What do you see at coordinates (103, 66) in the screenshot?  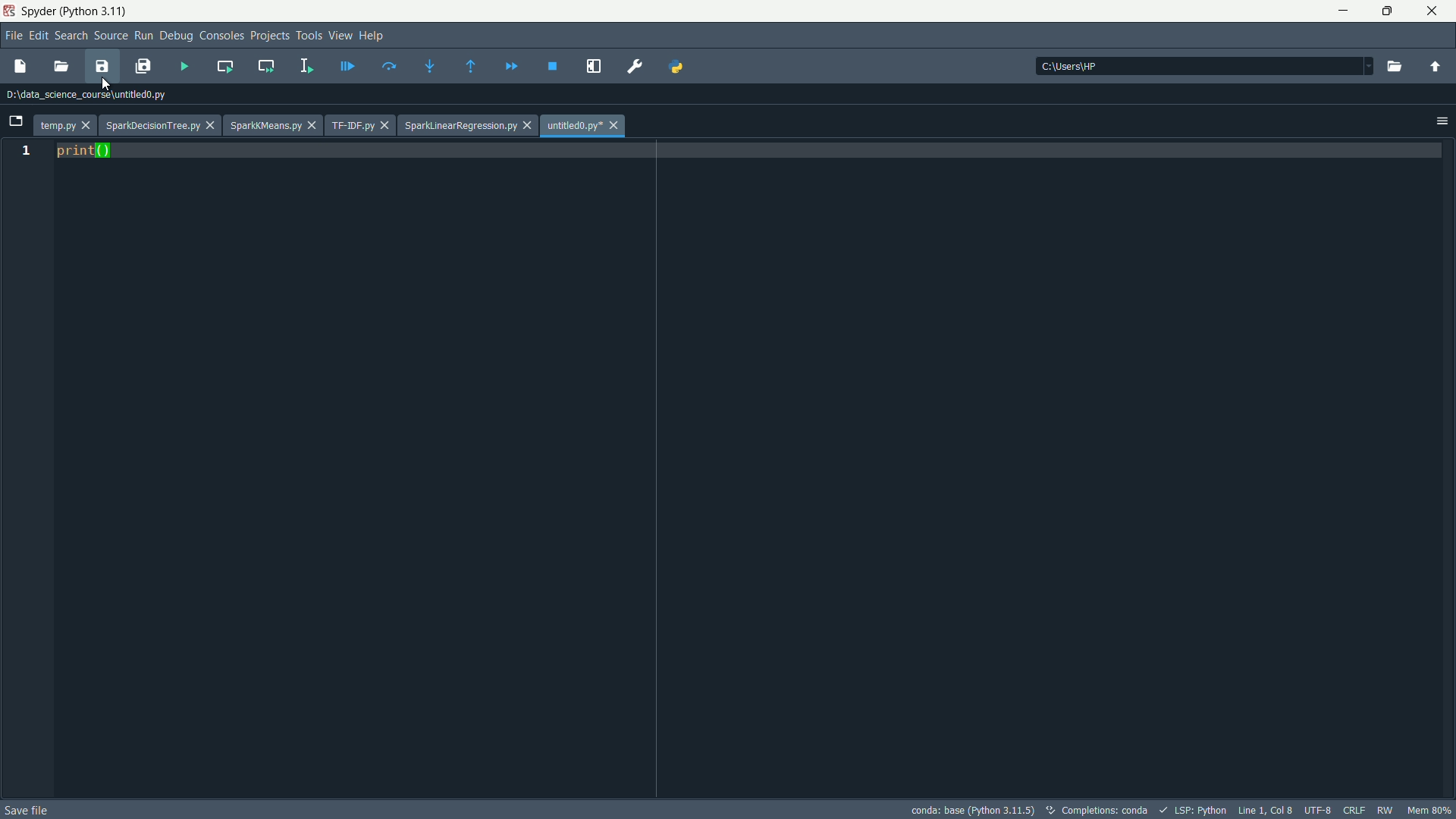 I see `save file` at bounding box center [103, 66].